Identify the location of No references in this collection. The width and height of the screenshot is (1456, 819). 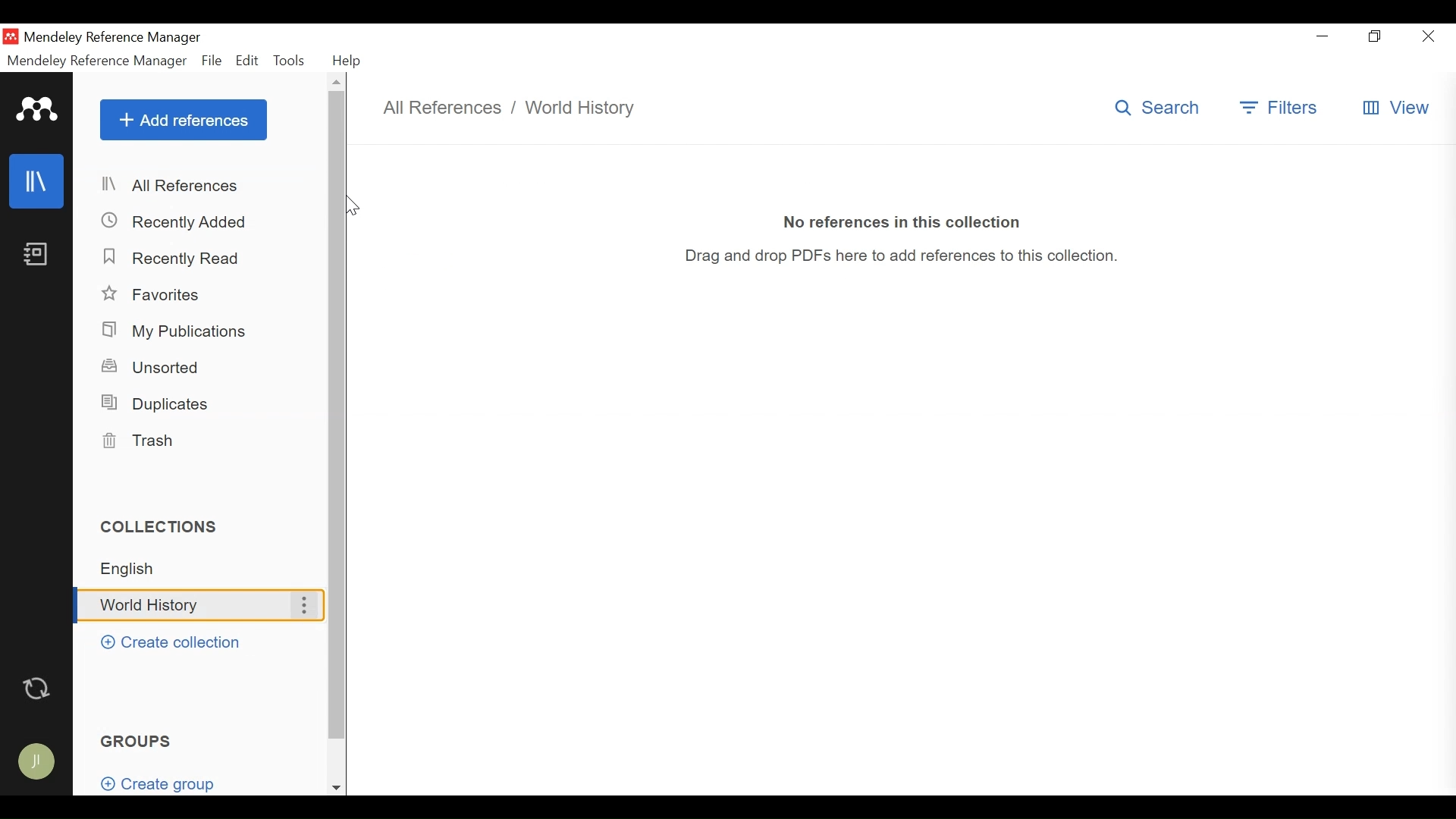
(903, 220).